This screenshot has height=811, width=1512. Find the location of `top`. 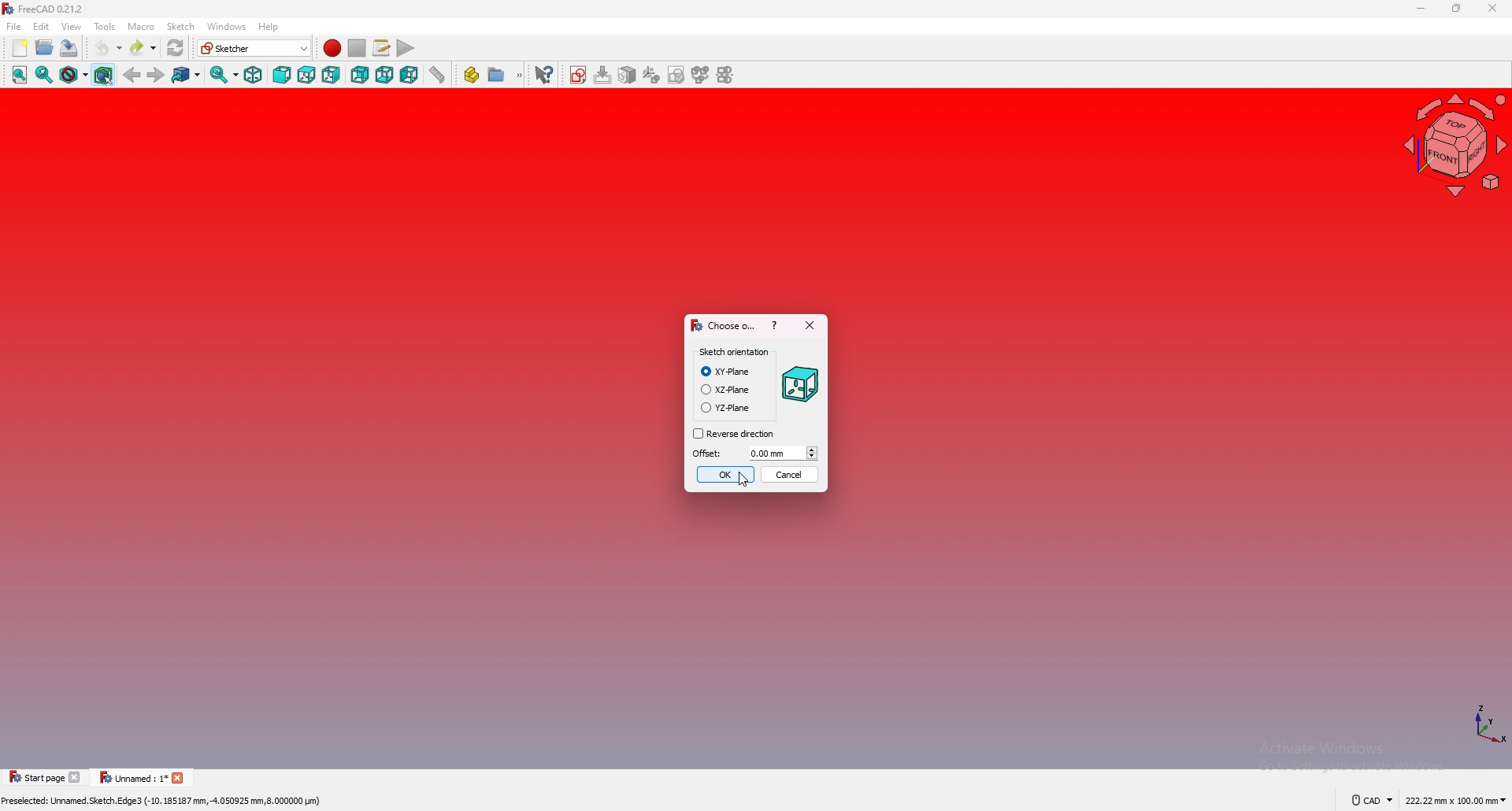

top is located at coordinates (306, 75).